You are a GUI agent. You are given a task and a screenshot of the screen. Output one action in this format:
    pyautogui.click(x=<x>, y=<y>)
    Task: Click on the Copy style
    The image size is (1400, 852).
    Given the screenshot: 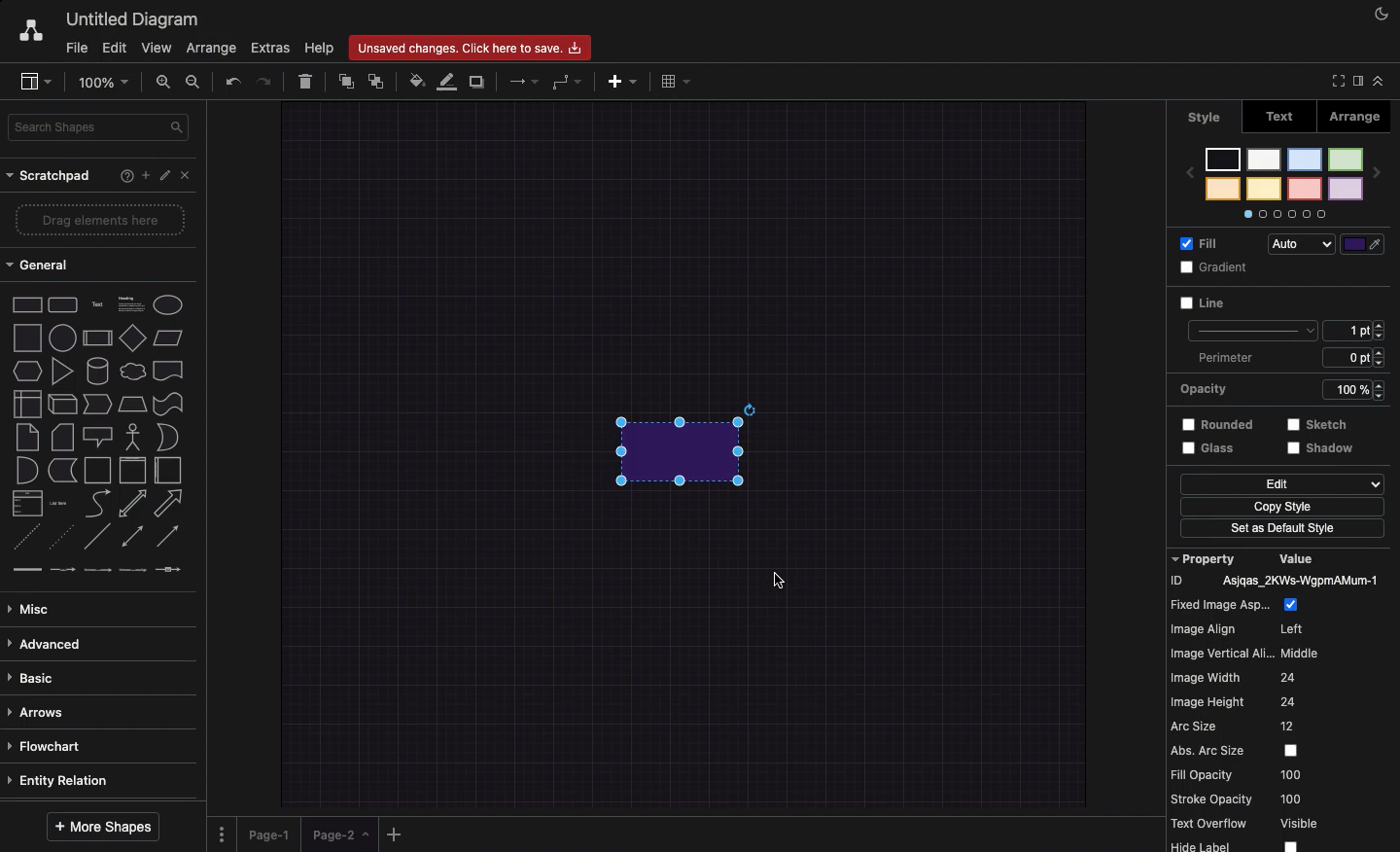 What is the action you would take?
    pyautogui.click(x=1281, y=509)
    